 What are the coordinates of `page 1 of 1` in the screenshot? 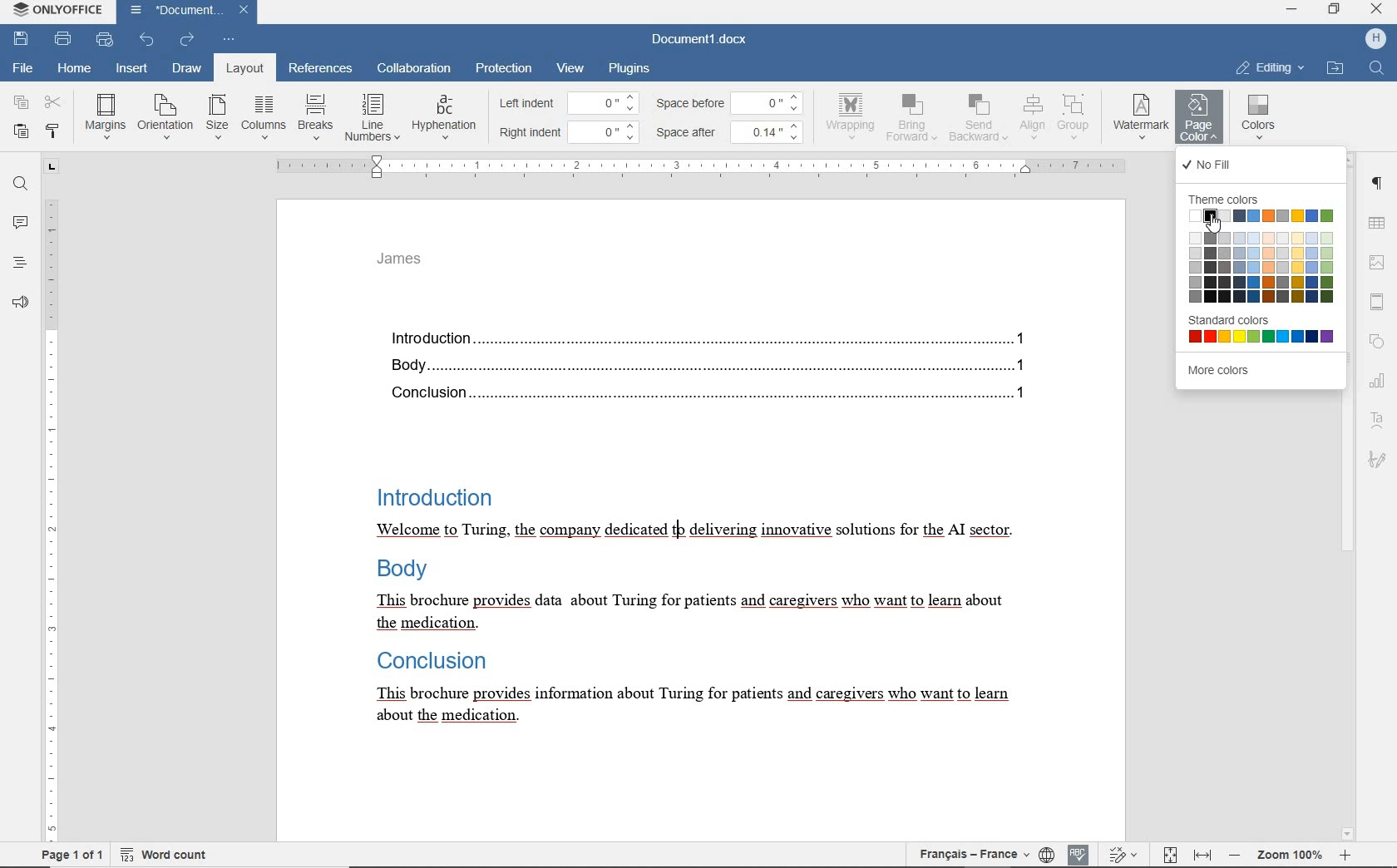 It's located at (71, 855).